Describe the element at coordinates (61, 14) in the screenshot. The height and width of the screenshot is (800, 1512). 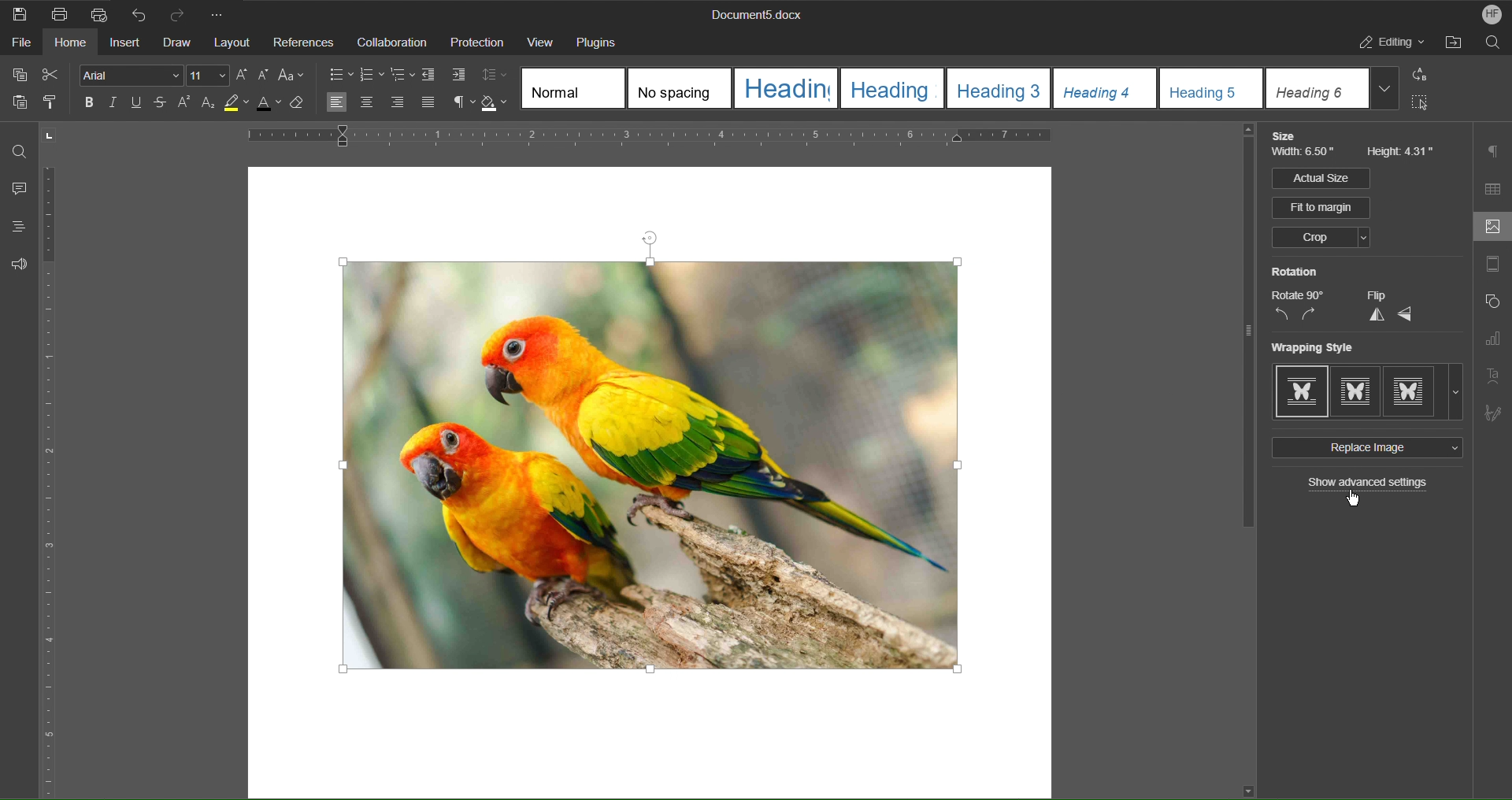
I see `Print` at that location.